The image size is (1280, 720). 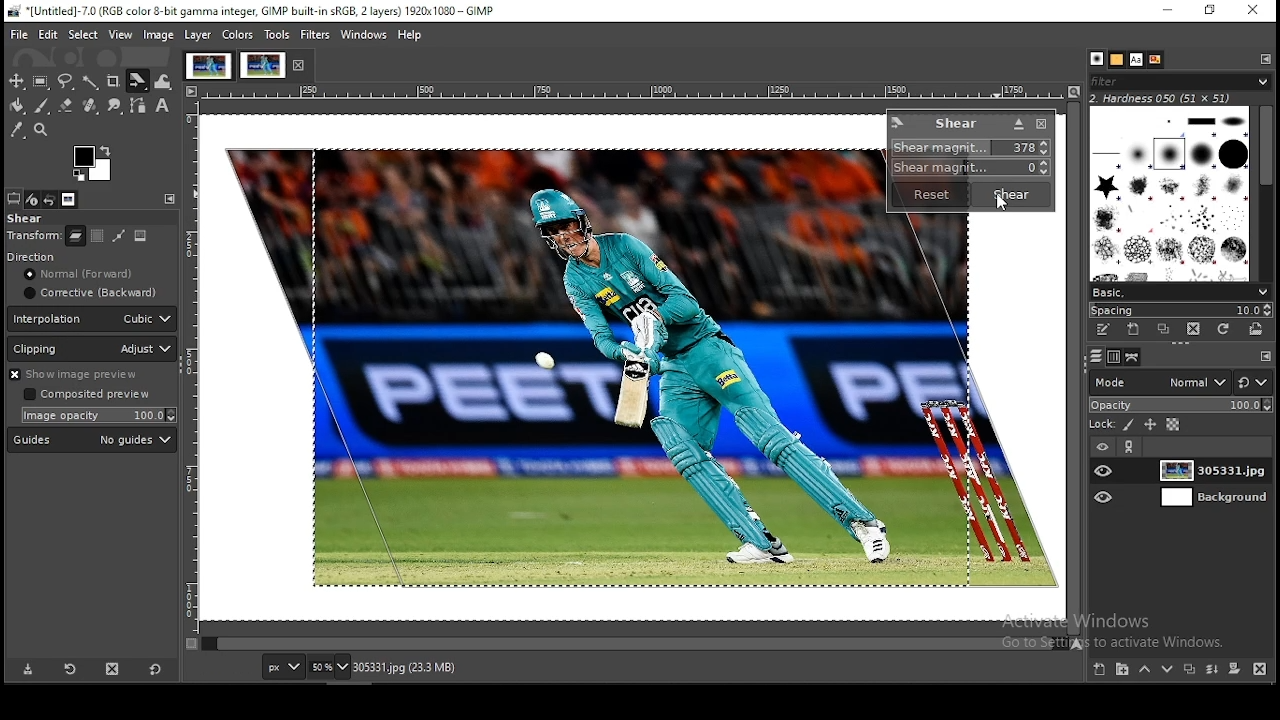 What do you see at coordinates (26, 219) in the screenshot?
I see `shear` at bounding box center [26, 219].